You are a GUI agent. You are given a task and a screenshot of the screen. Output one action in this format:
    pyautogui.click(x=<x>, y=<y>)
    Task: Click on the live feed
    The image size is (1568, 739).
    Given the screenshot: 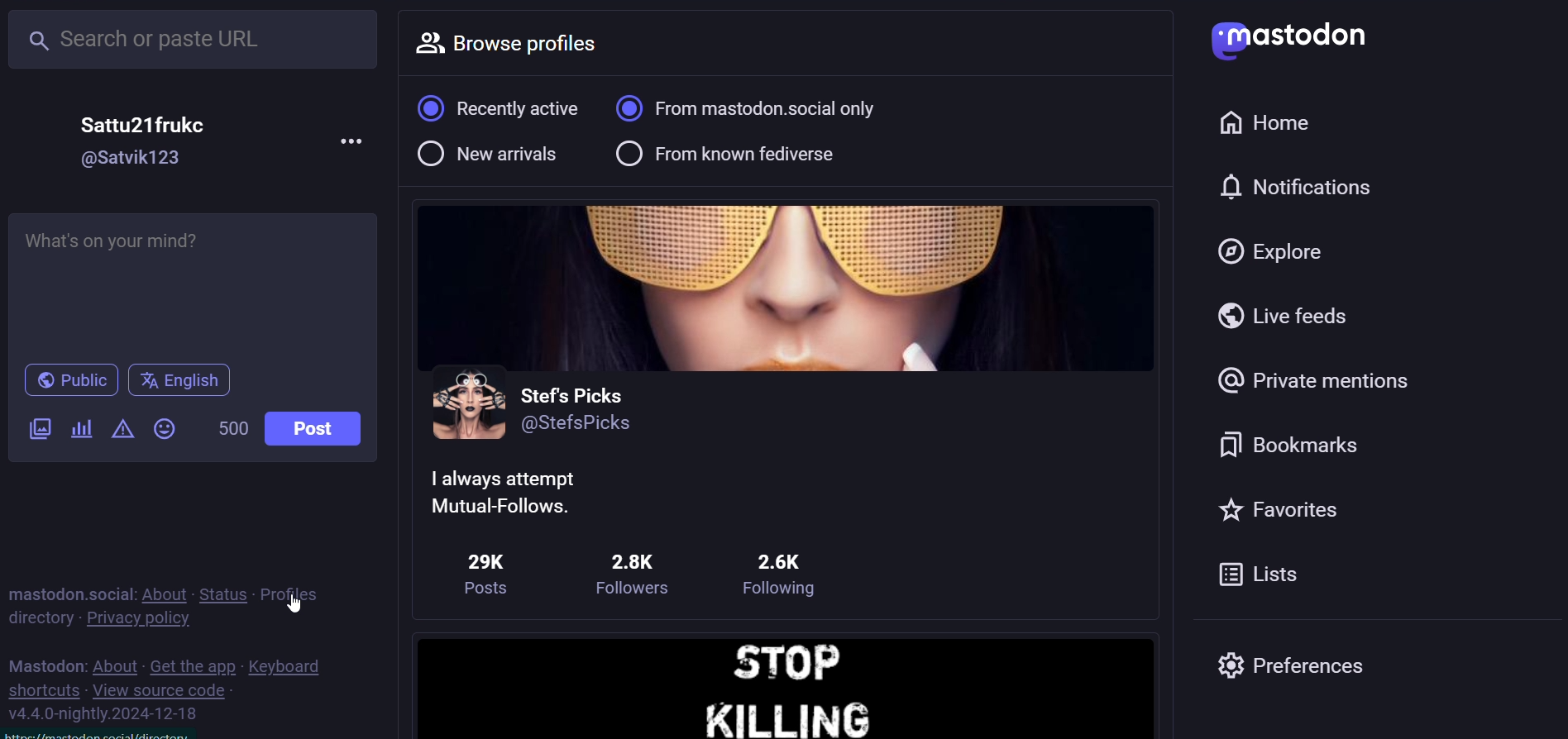 What is the action you would take?
    pyautogui.click(x=1289, y=312)
    